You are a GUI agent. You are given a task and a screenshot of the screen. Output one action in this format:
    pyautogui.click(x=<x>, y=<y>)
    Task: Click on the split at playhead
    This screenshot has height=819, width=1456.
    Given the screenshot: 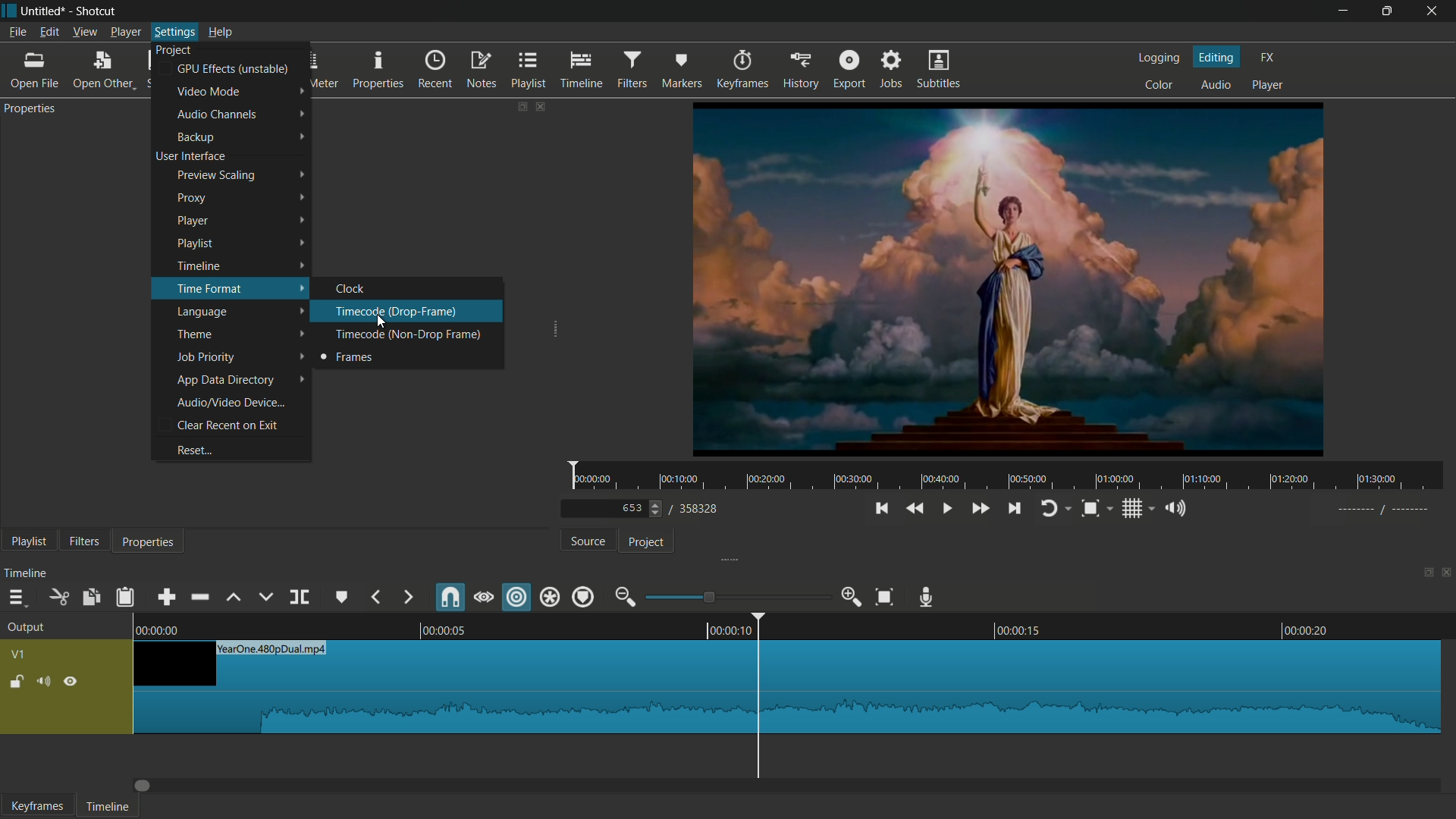 What is the action you would take?
    pyautogui.click(x=302, y=595)
    